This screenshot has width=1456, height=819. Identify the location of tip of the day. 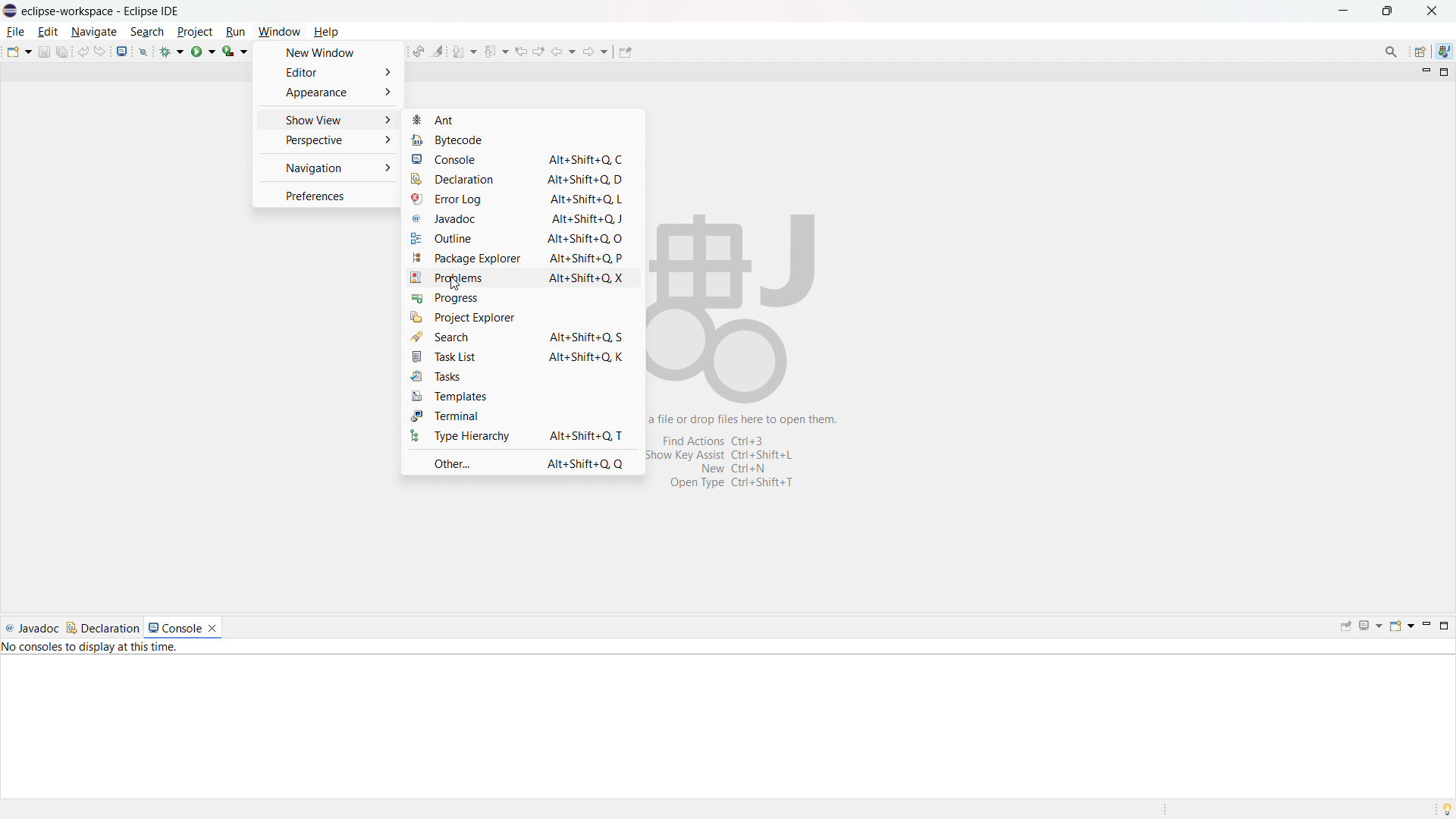
(1444, 808).